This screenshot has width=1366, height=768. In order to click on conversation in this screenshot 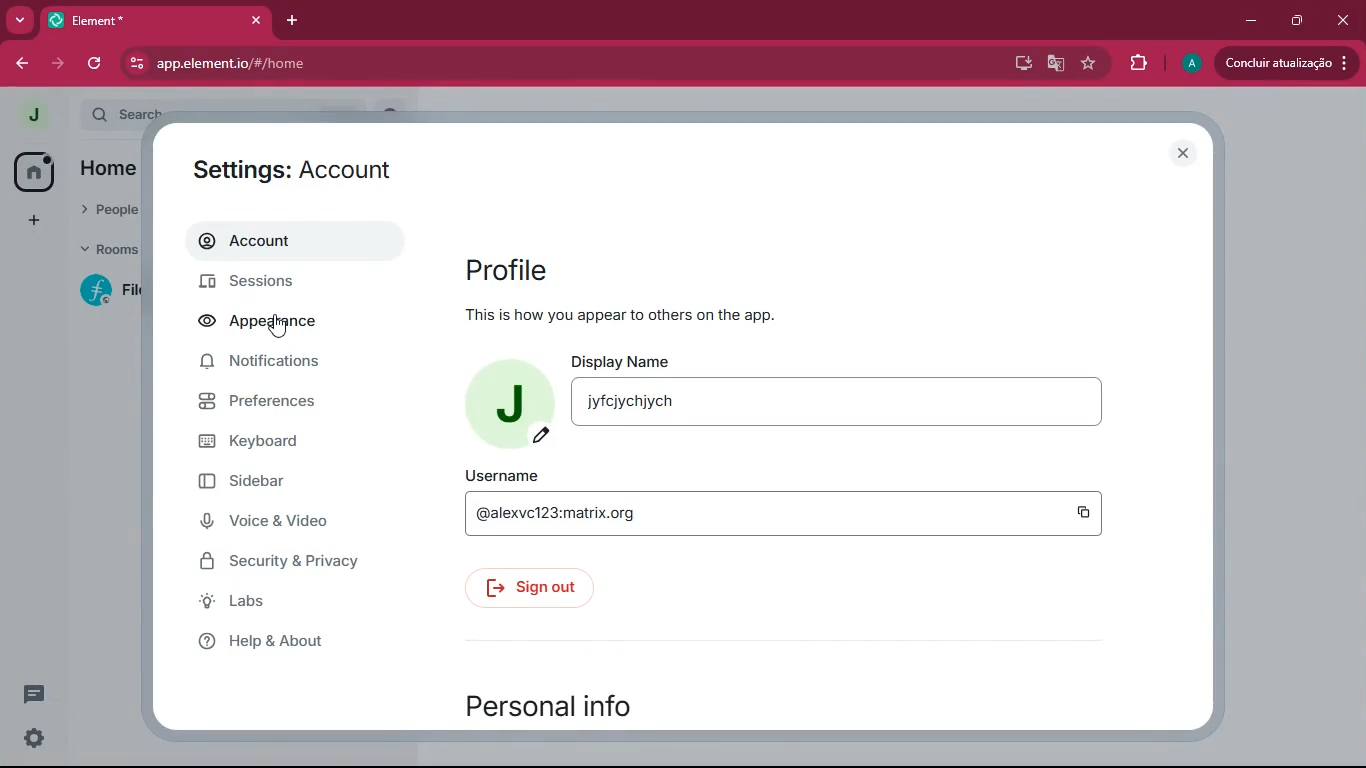, I will do `click(32, 693)`.